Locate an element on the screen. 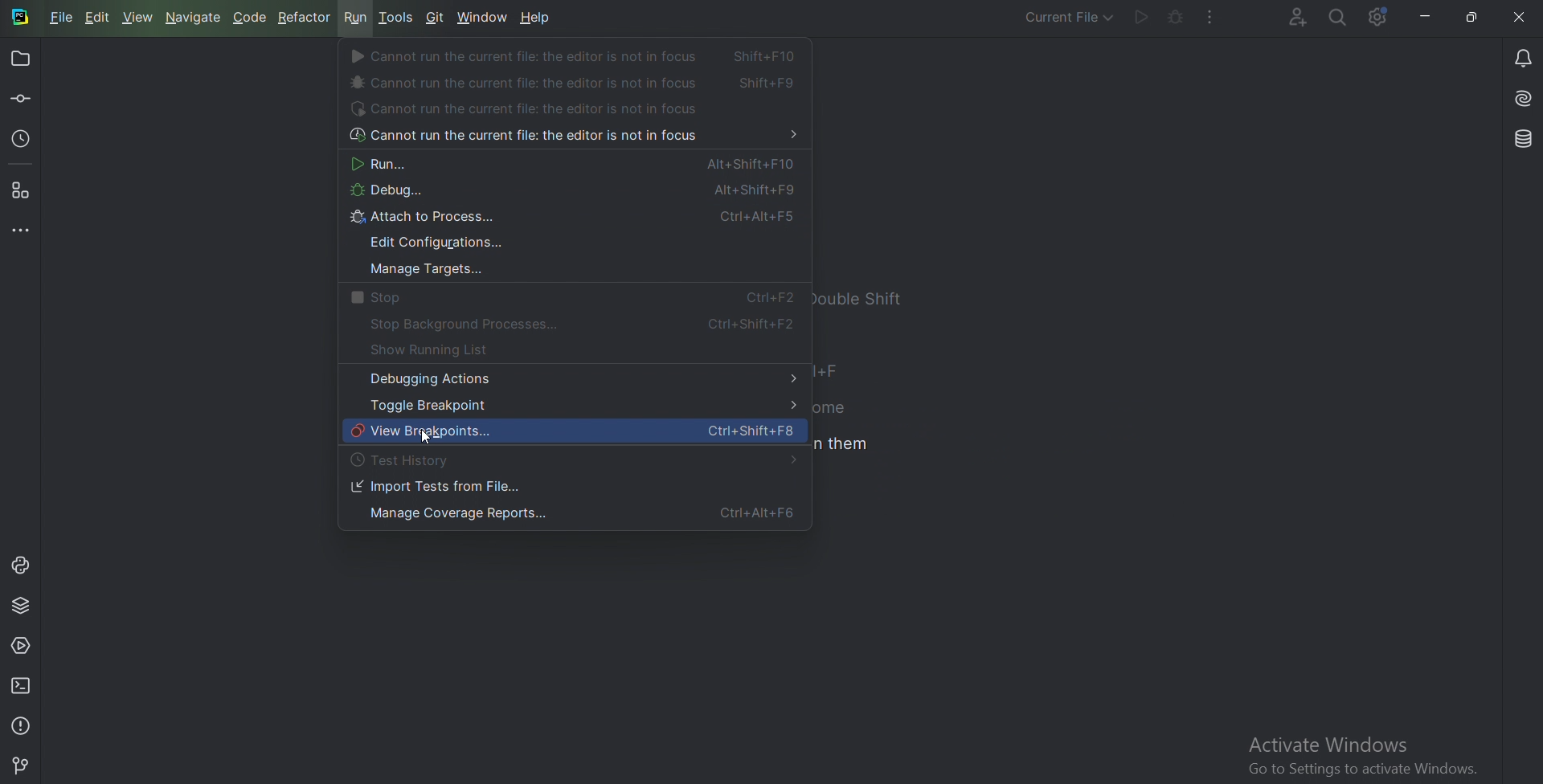 The height and width of the screenshot is (784, 1543). Python package is located at coordinates (23, 606).